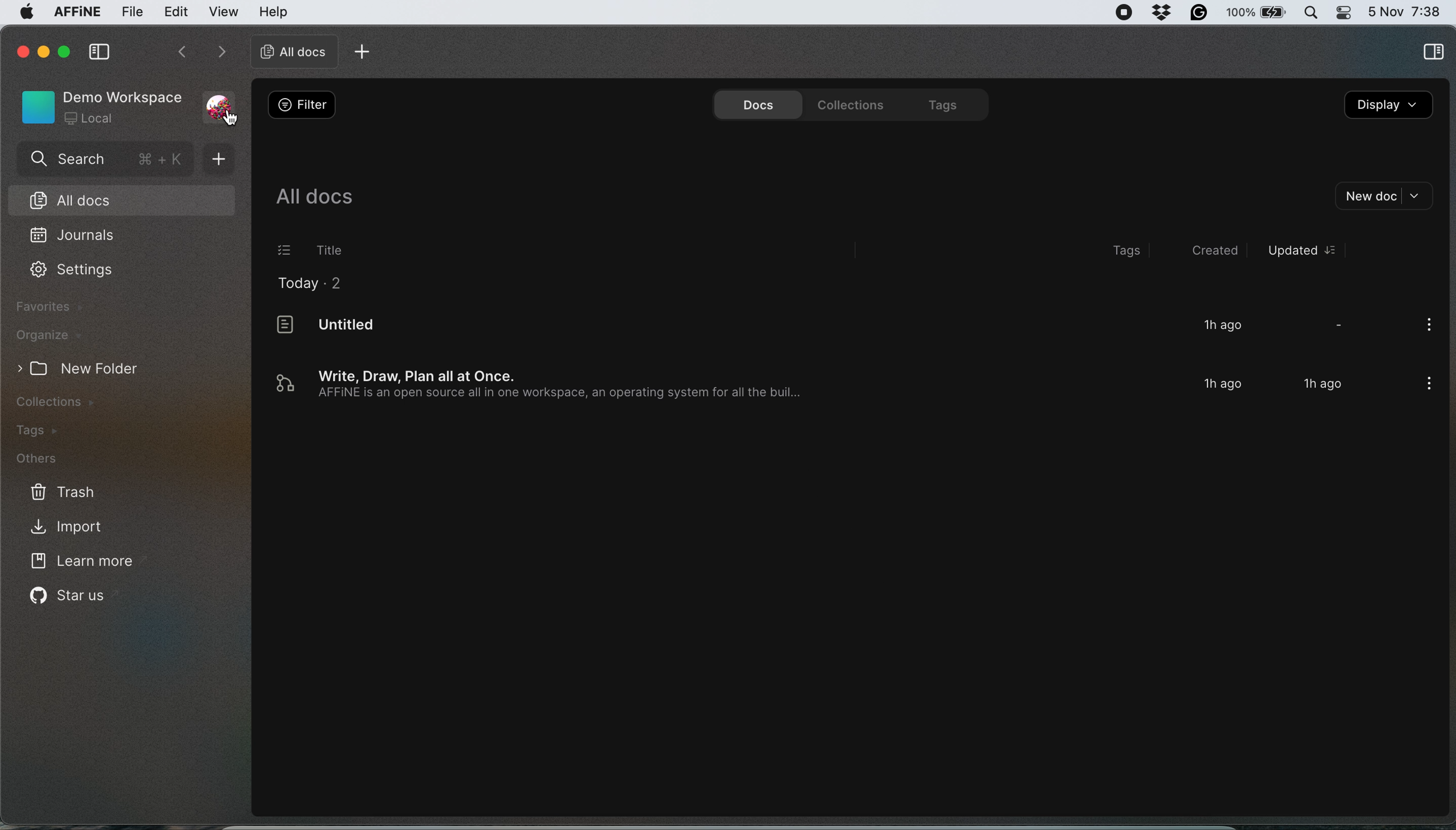 This screenshot has height=830, width=1456. I want to click on tags, so click(941, 103).